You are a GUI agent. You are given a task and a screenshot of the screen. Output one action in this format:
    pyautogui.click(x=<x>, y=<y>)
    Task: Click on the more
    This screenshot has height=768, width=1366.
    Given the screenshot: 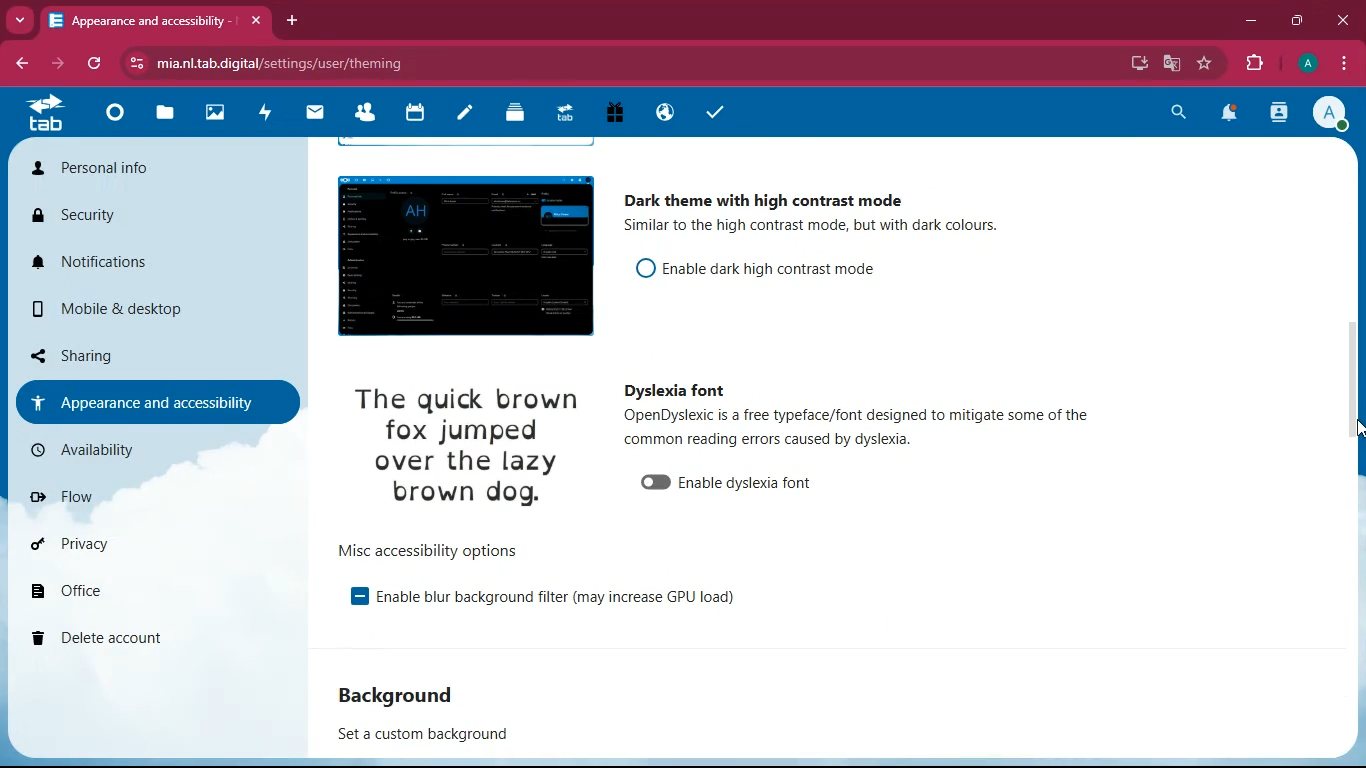 What is the action you would take?
    pyautogui.click(x=20, y=20)
    